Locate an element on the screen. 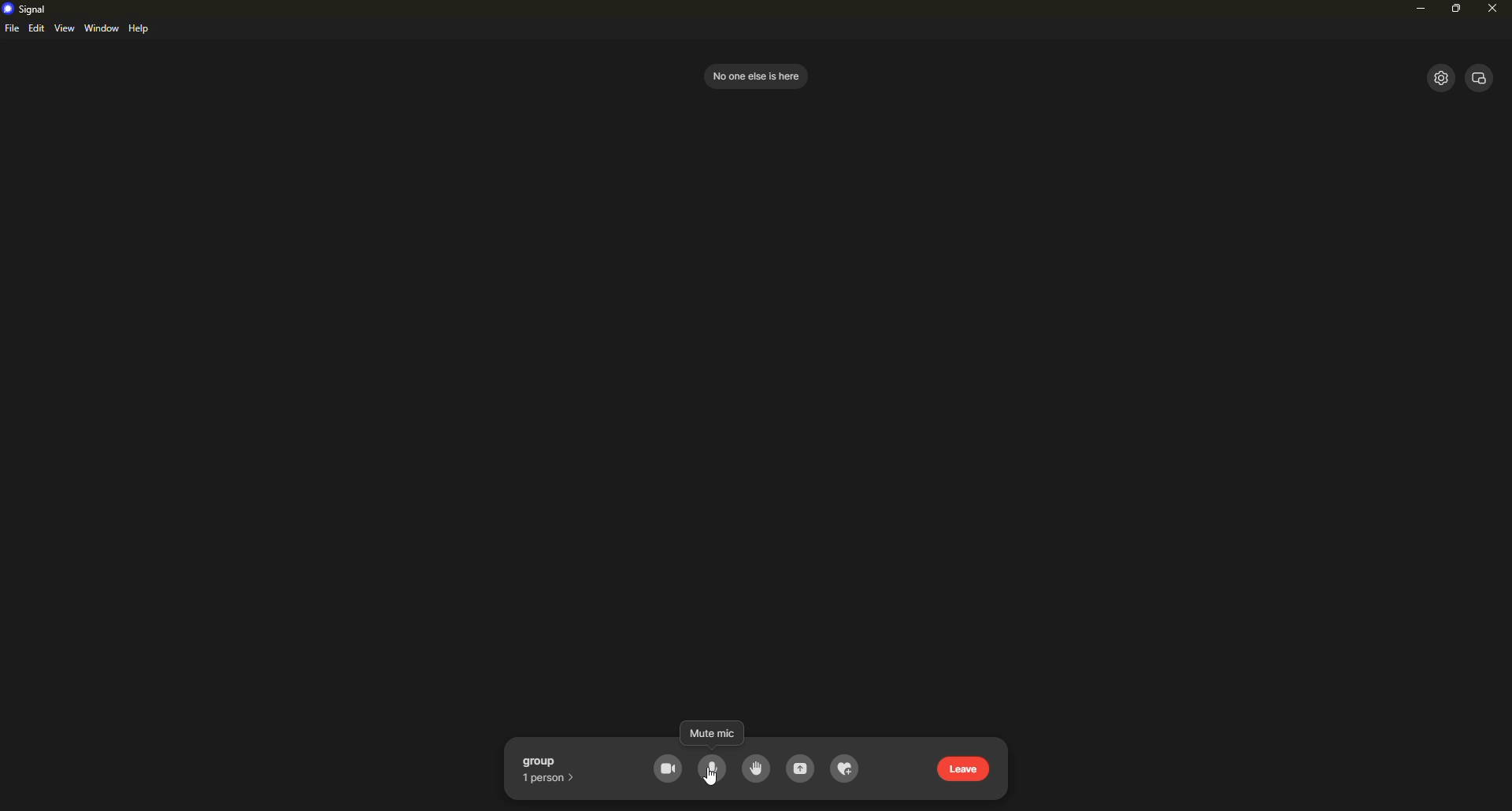 Image resolution: width=1512 pixels, height=811 pixels. leave is located at coordinates (966, 768).